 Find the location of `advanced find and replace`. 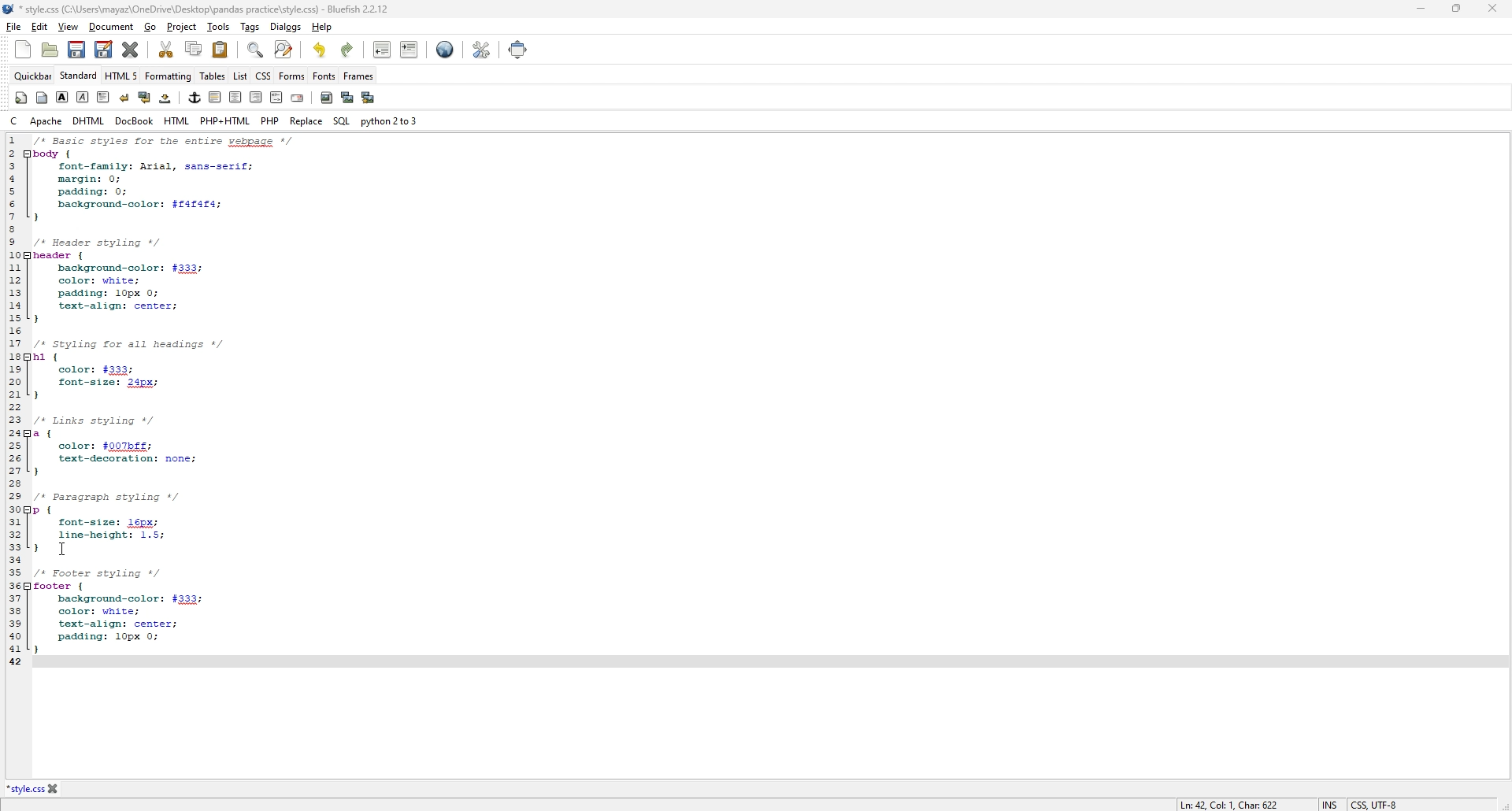

advanced find and replace is located at coordinates (284, 49).